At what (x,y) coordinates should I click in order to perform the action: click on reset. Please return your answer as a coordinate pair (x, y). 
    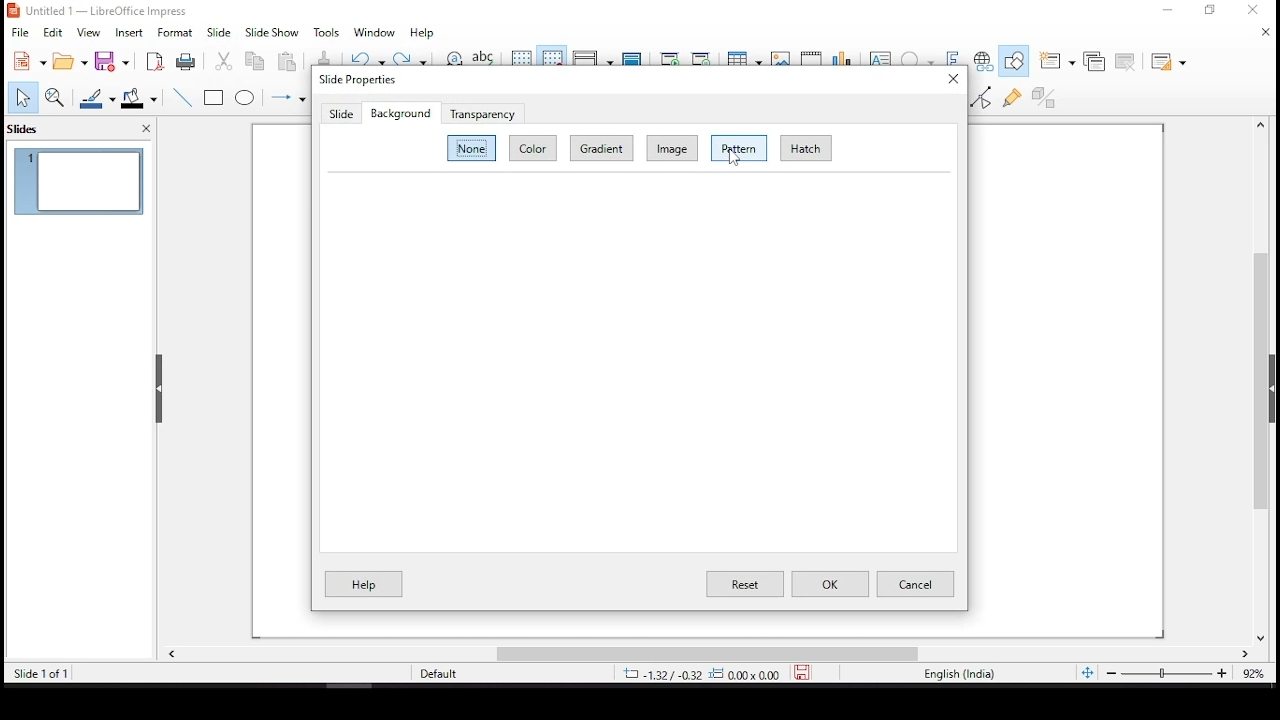
    Looking at the image, I should click on (743, 583).